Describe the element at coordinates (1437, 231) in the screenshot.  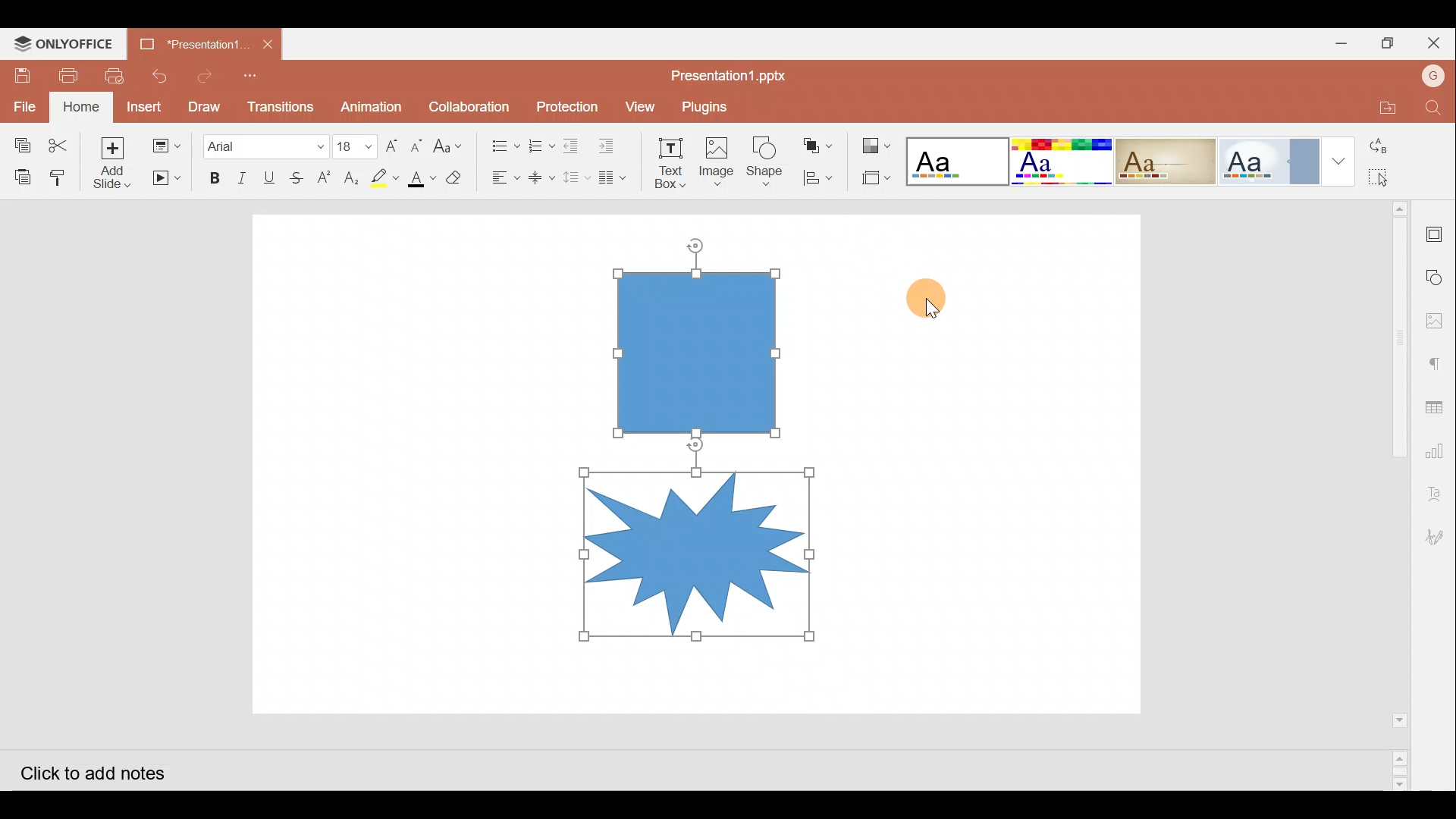
I see `Slide settings` at that location.